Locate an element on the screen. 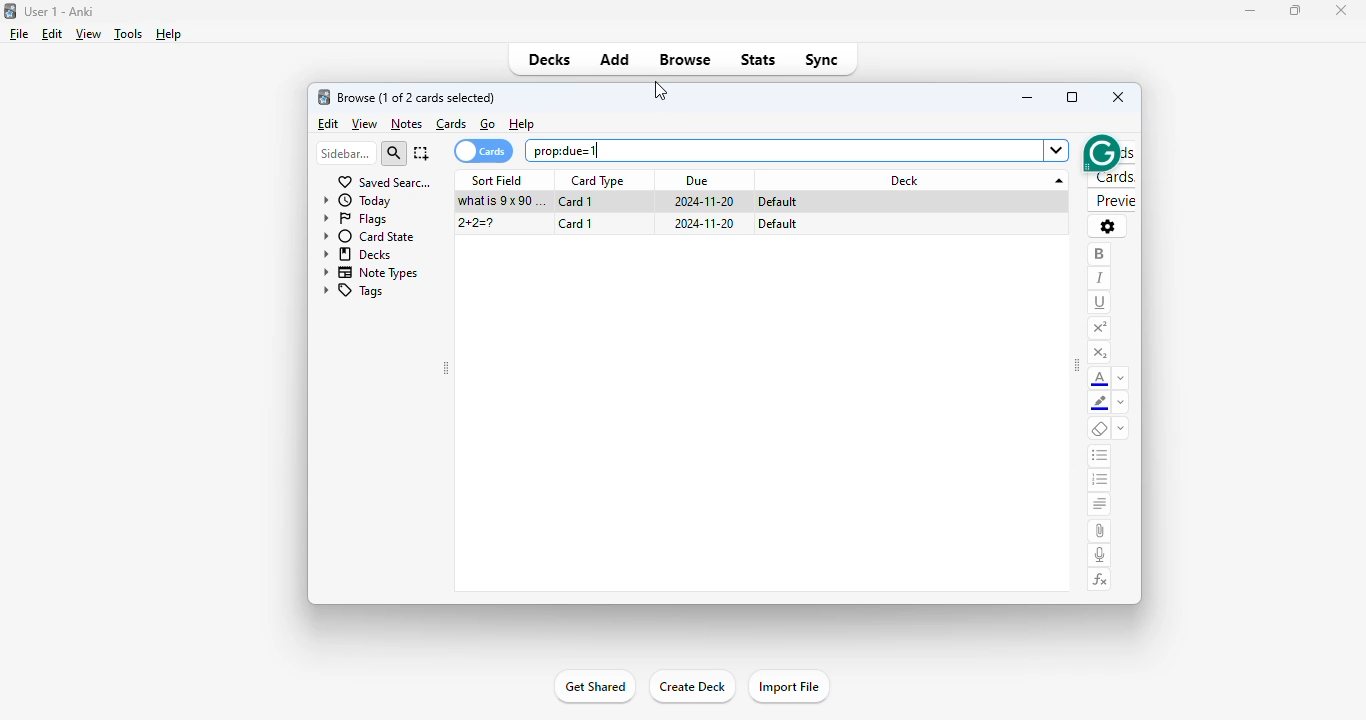  close is located at coordinates (1340, 9).